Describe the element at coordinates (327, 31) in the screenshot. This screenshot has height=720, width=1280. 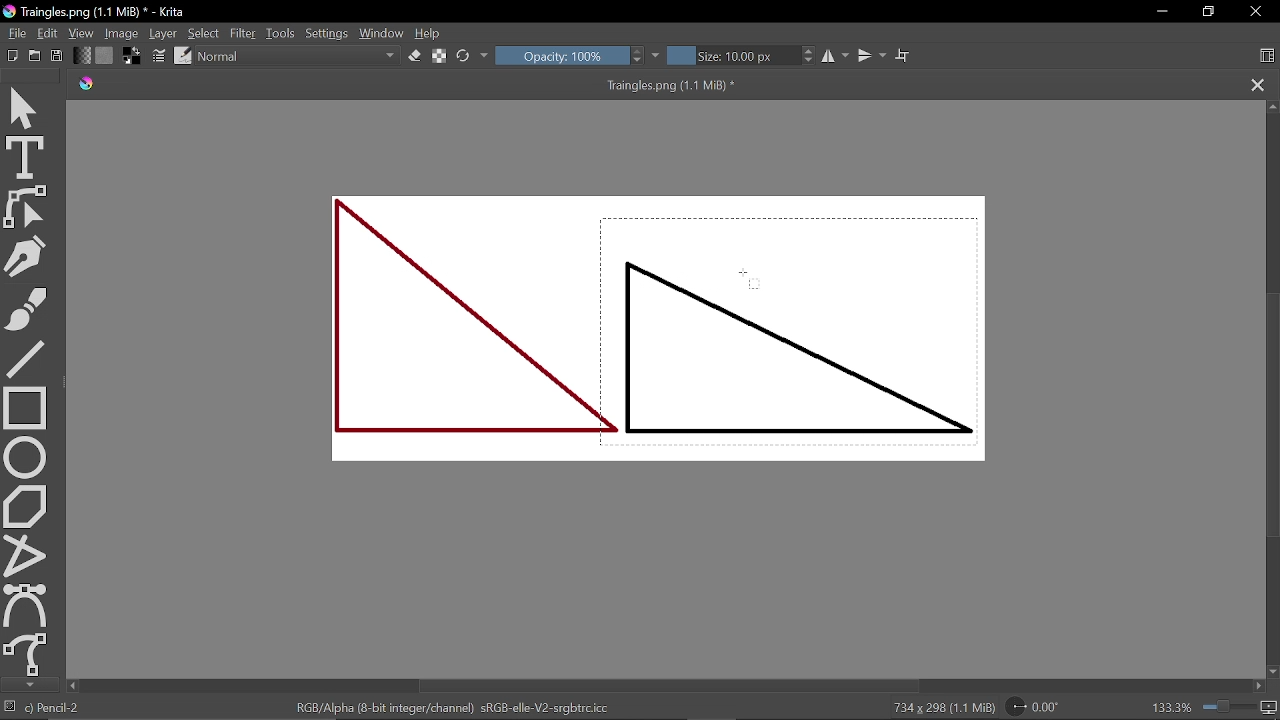
I see `Settings` at that location.